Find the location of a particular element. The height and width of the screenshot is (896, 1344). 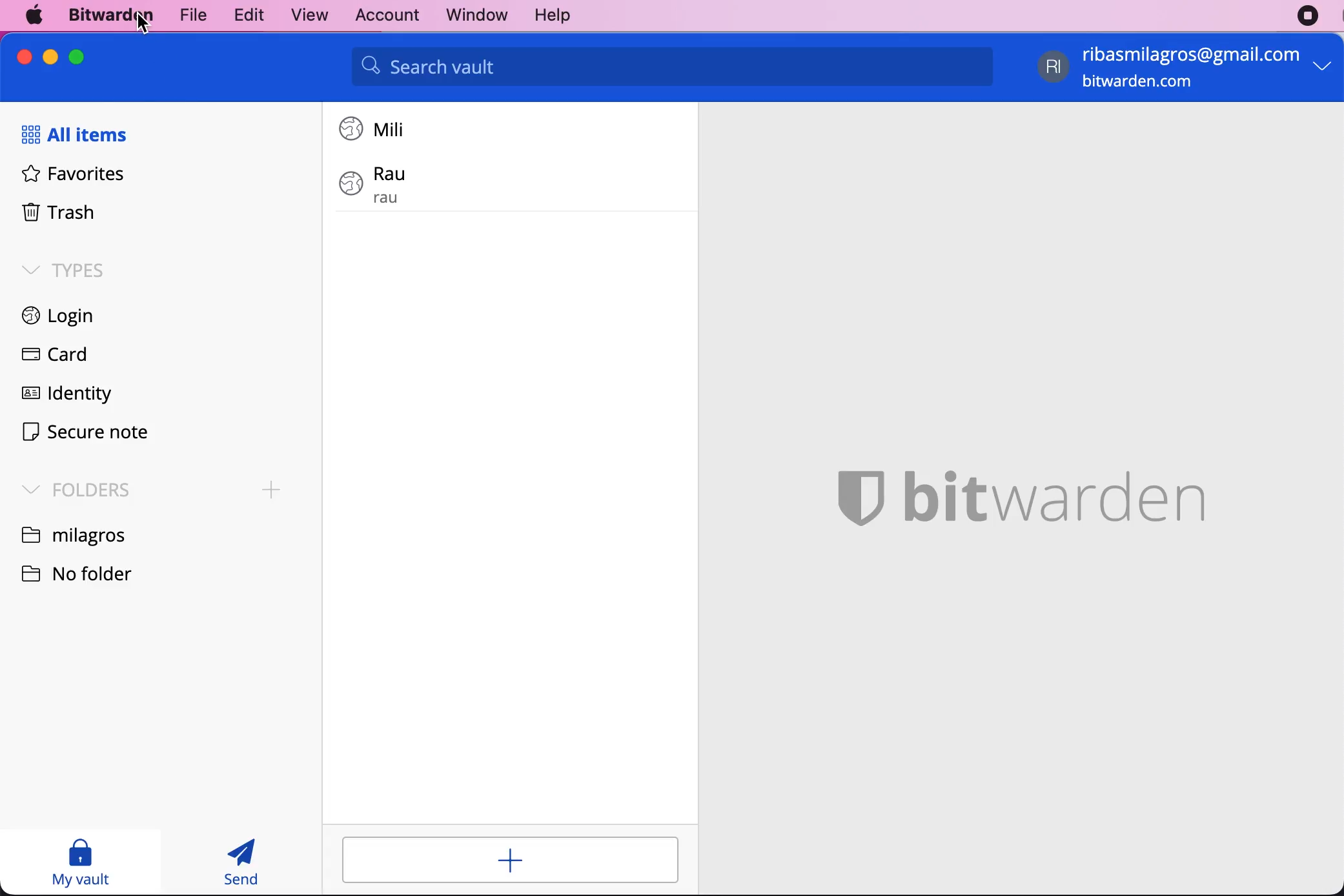

login 1 is located at coordinates (376, 128).